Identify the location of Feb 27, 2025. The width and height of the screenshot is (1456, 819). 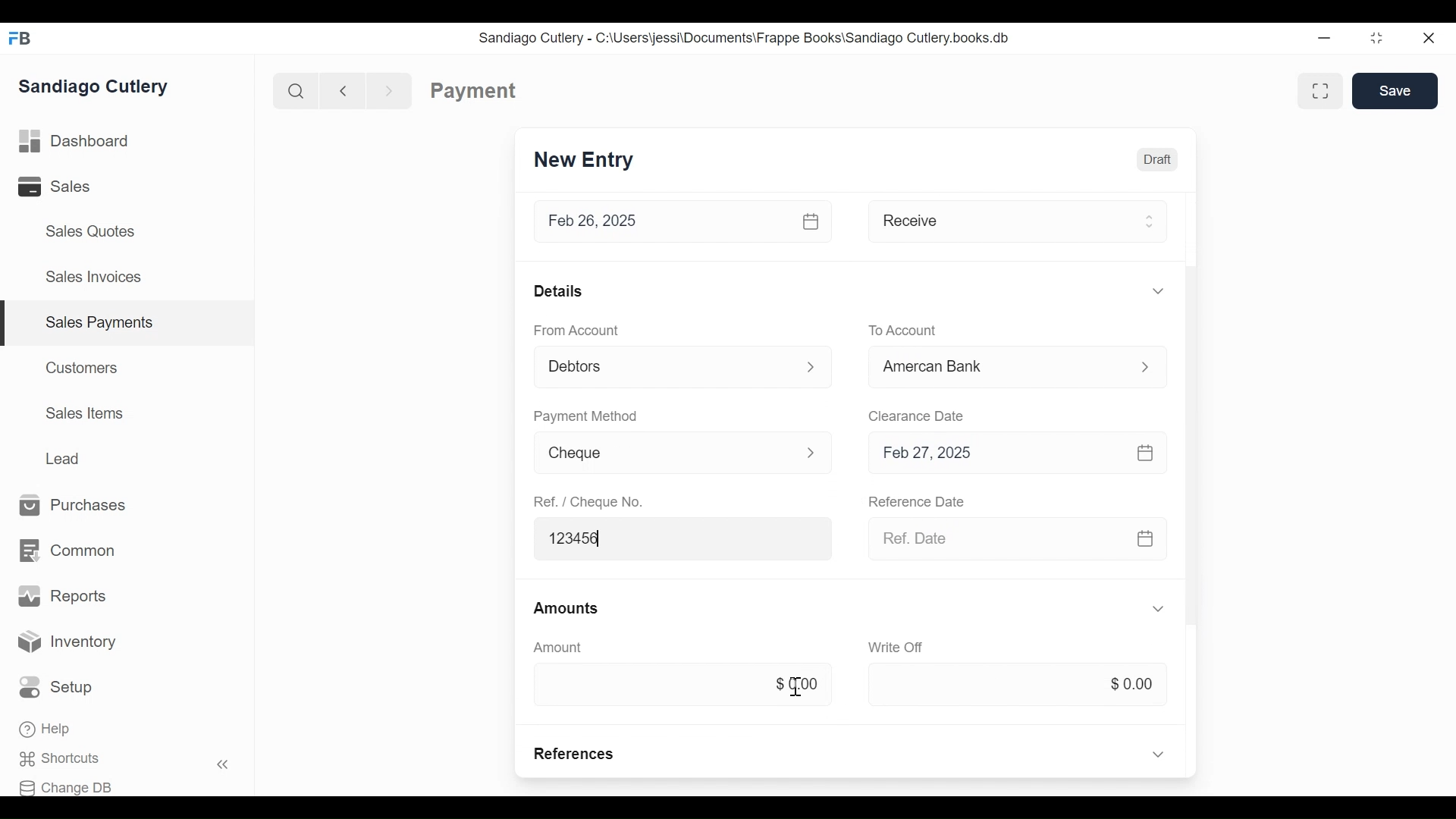
(994, 452).